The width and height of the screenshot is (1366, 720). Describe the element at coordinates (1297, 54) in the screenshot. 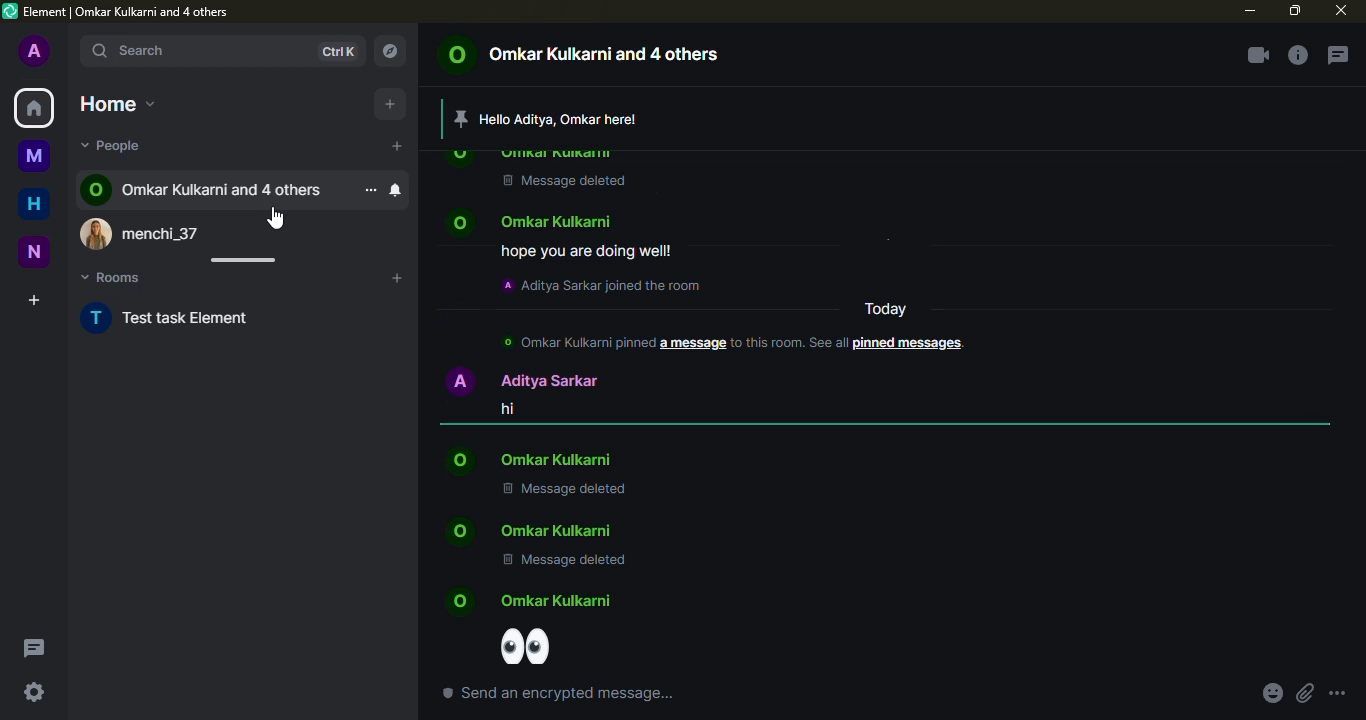

I see `info` at that location.